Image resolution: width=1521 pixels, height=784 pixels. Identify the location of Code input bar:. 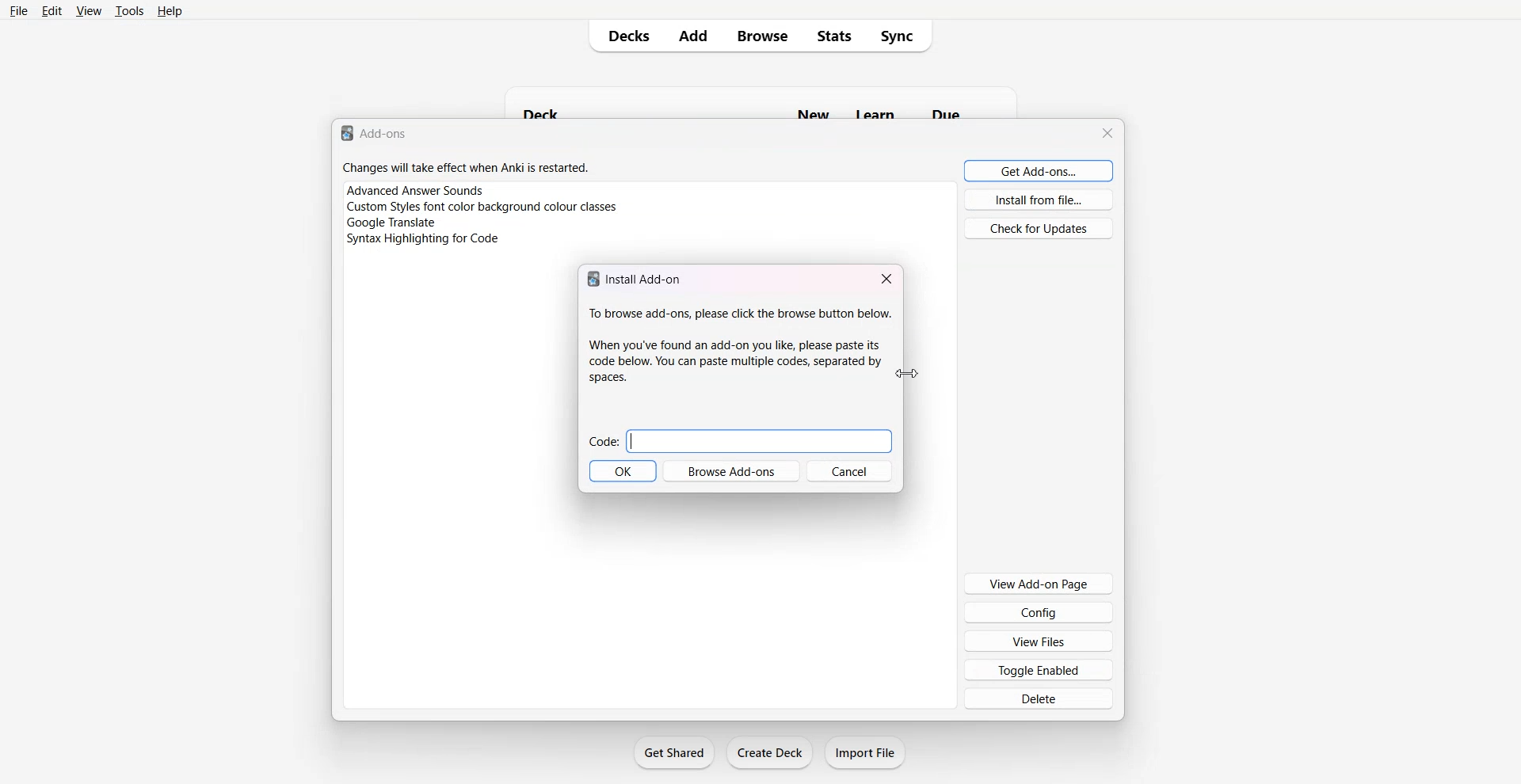
(740, 441).